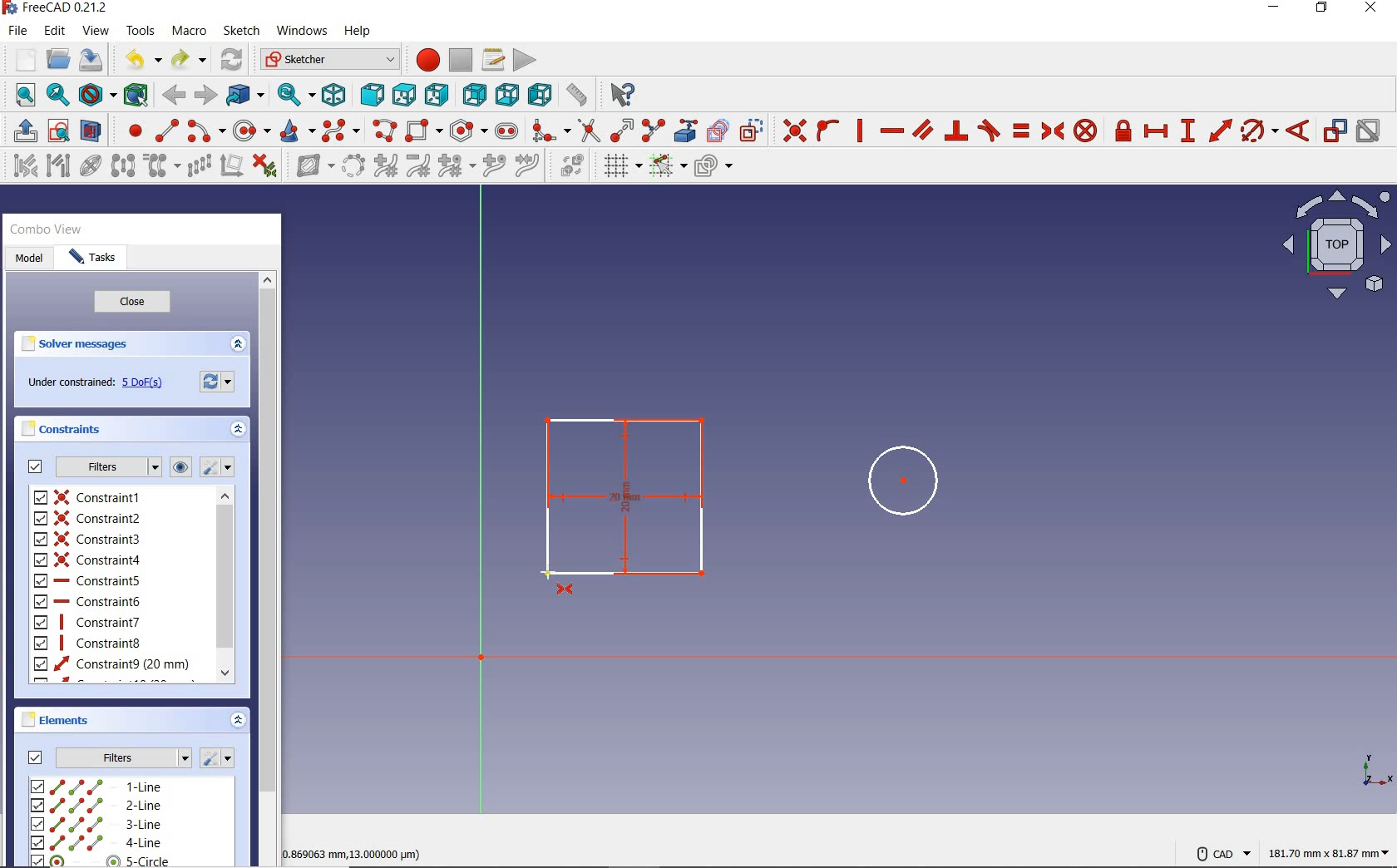 The image size is (1397, 868). What do you see at coordinates (74, 345) in the screenshot?
I see `solver messages` at bounding box center [74, 345].